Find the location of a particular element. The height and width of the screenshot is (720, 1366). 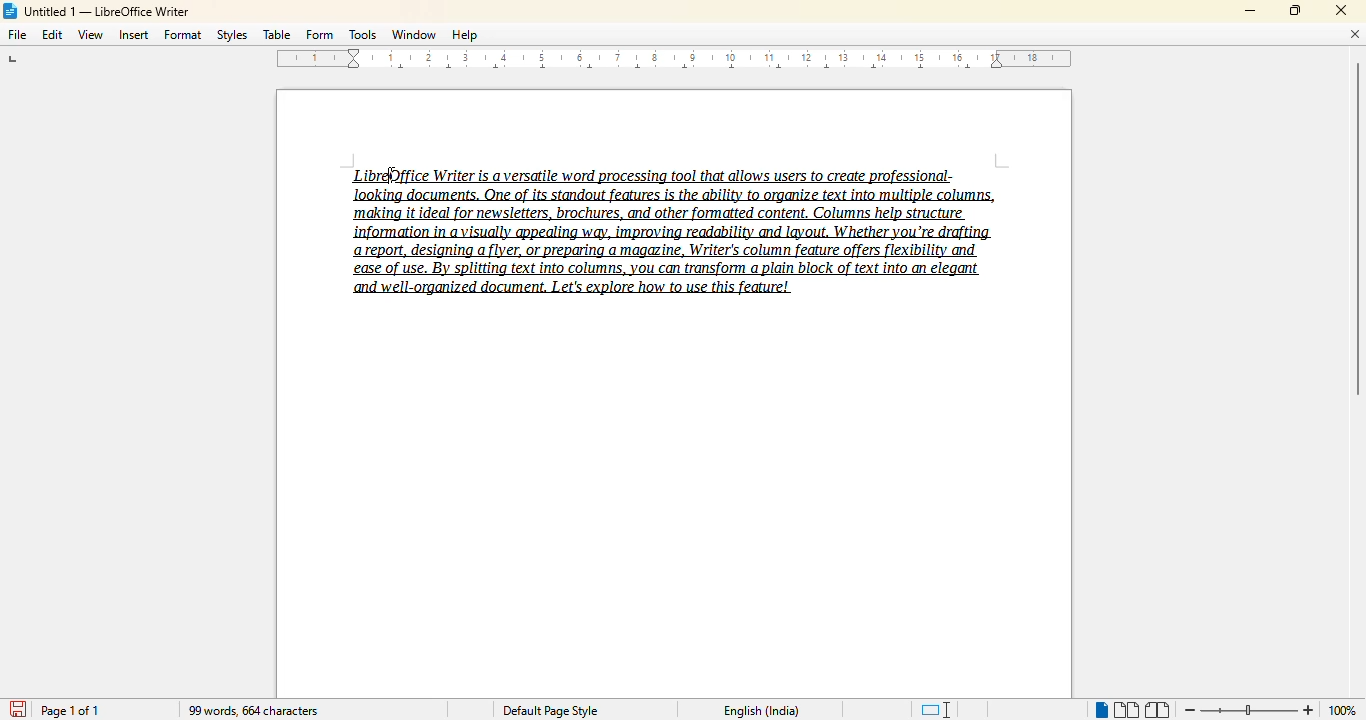

LibreOffice logo is located at coordinates (12, 10).